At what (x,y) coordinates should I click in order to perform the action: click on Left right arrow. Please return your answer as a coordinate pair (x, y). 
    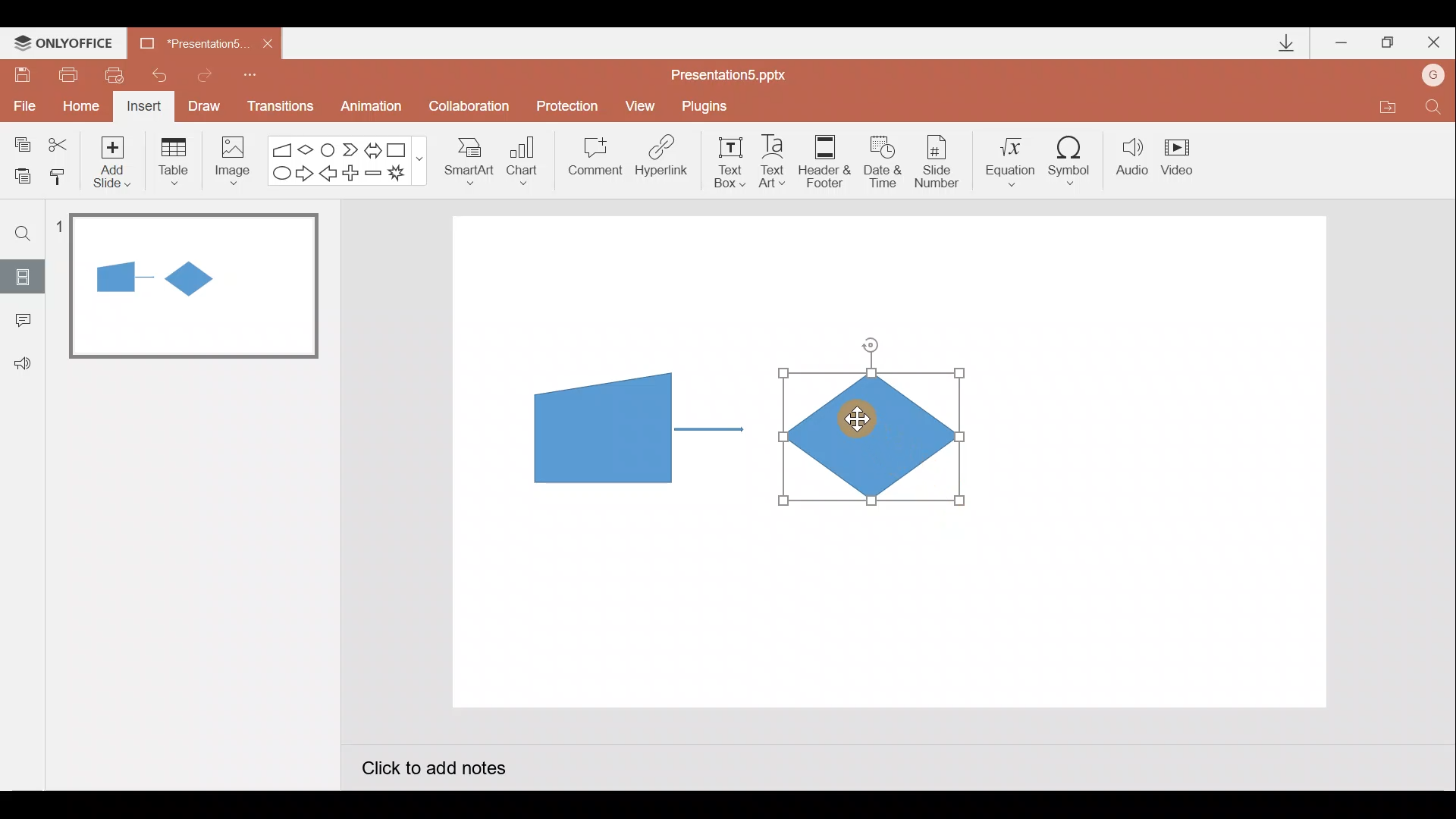
    Looking at the image, I should click on (375, 147).